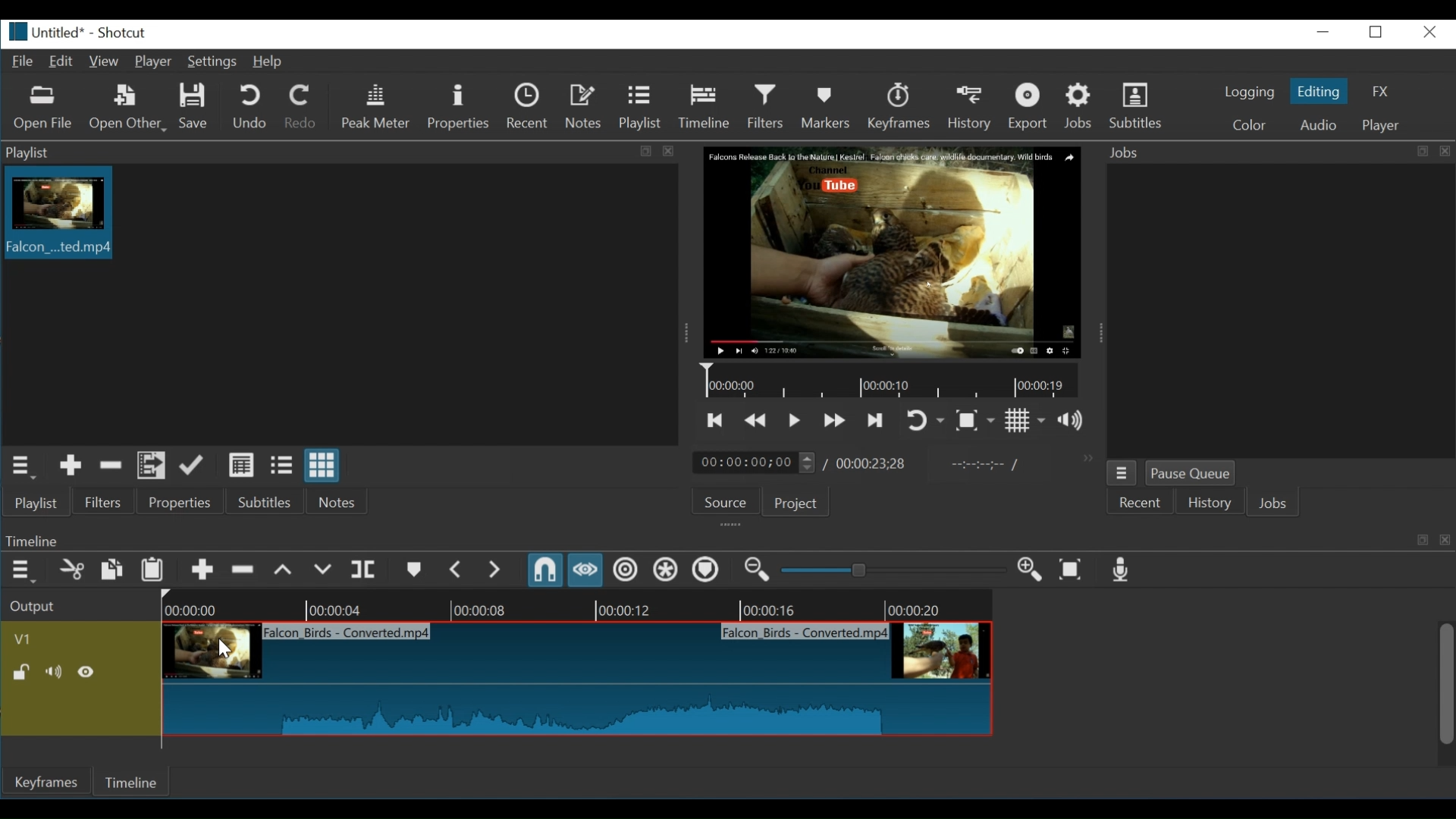 This screenshot has height=819, width=1456. What do you see at coordinates (1027, 568) in the screenshot?
I see `Zoom keyframe in` at bounding box center [1027, 568].